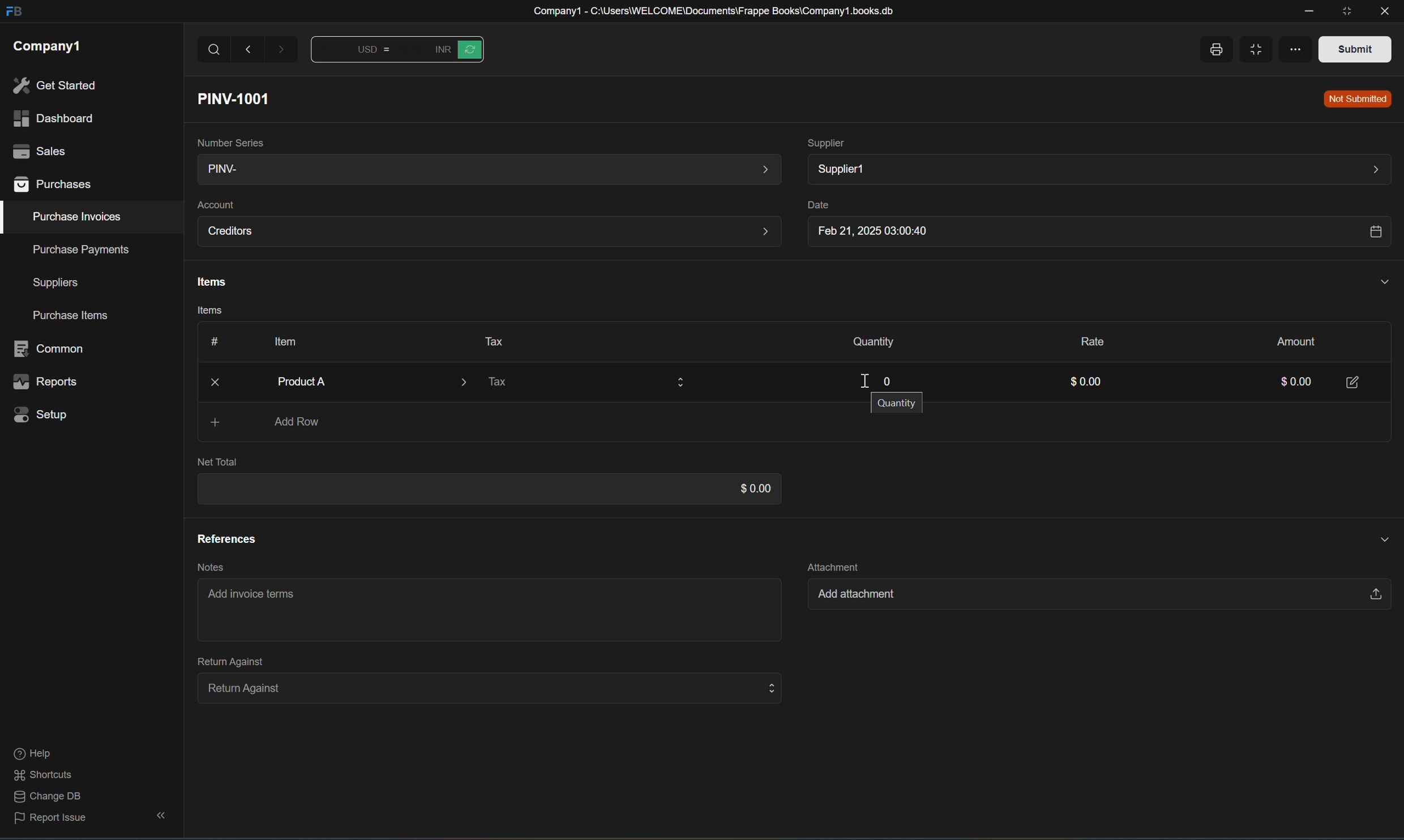 The image size is (1404, 840). Describe the element at coordinates (360, 382) in the screenshot. I see `Product A` at that location.